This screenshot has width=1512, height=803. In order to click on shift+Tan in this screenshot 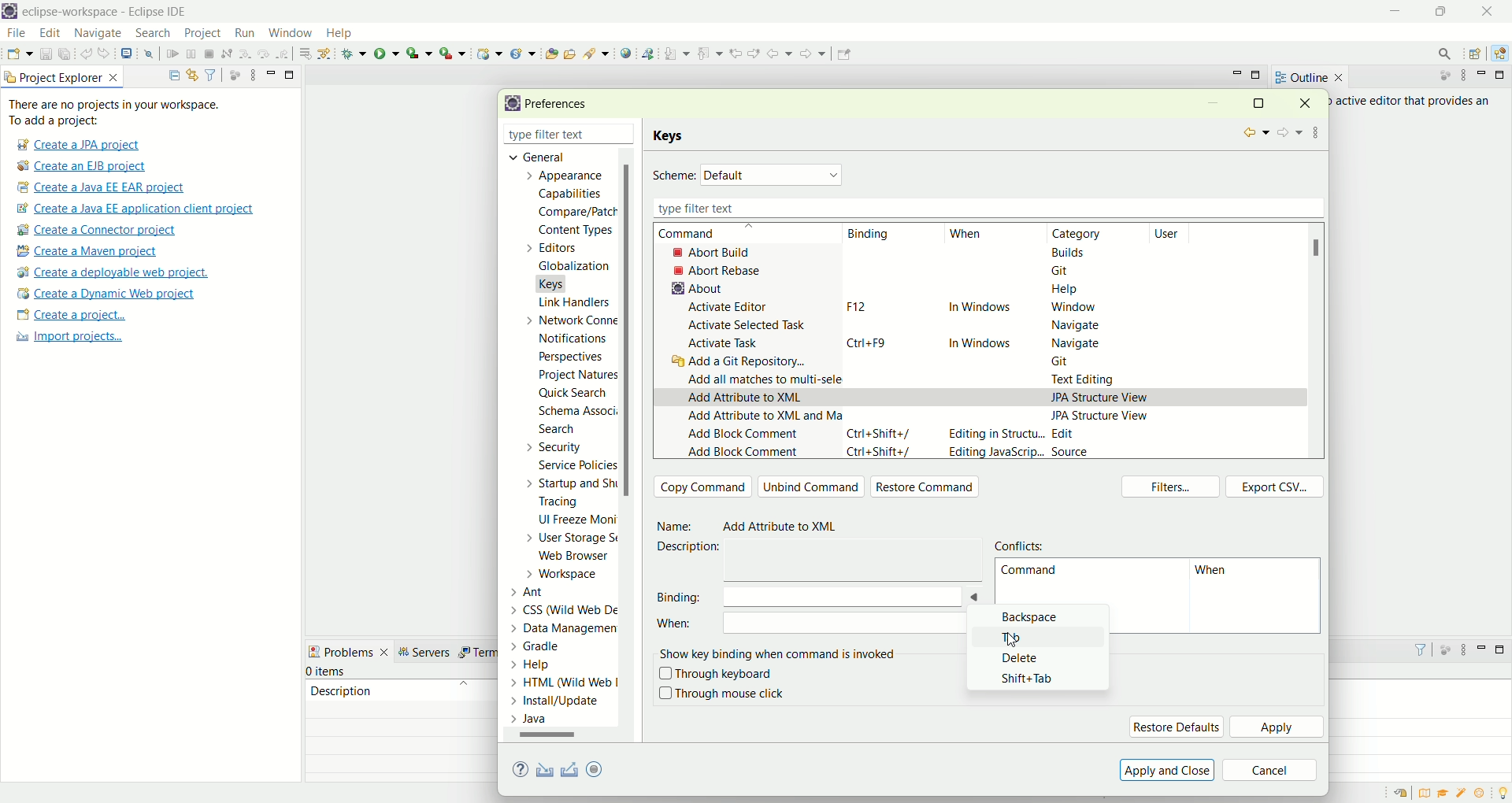, I will do `click(1033, 676)`.